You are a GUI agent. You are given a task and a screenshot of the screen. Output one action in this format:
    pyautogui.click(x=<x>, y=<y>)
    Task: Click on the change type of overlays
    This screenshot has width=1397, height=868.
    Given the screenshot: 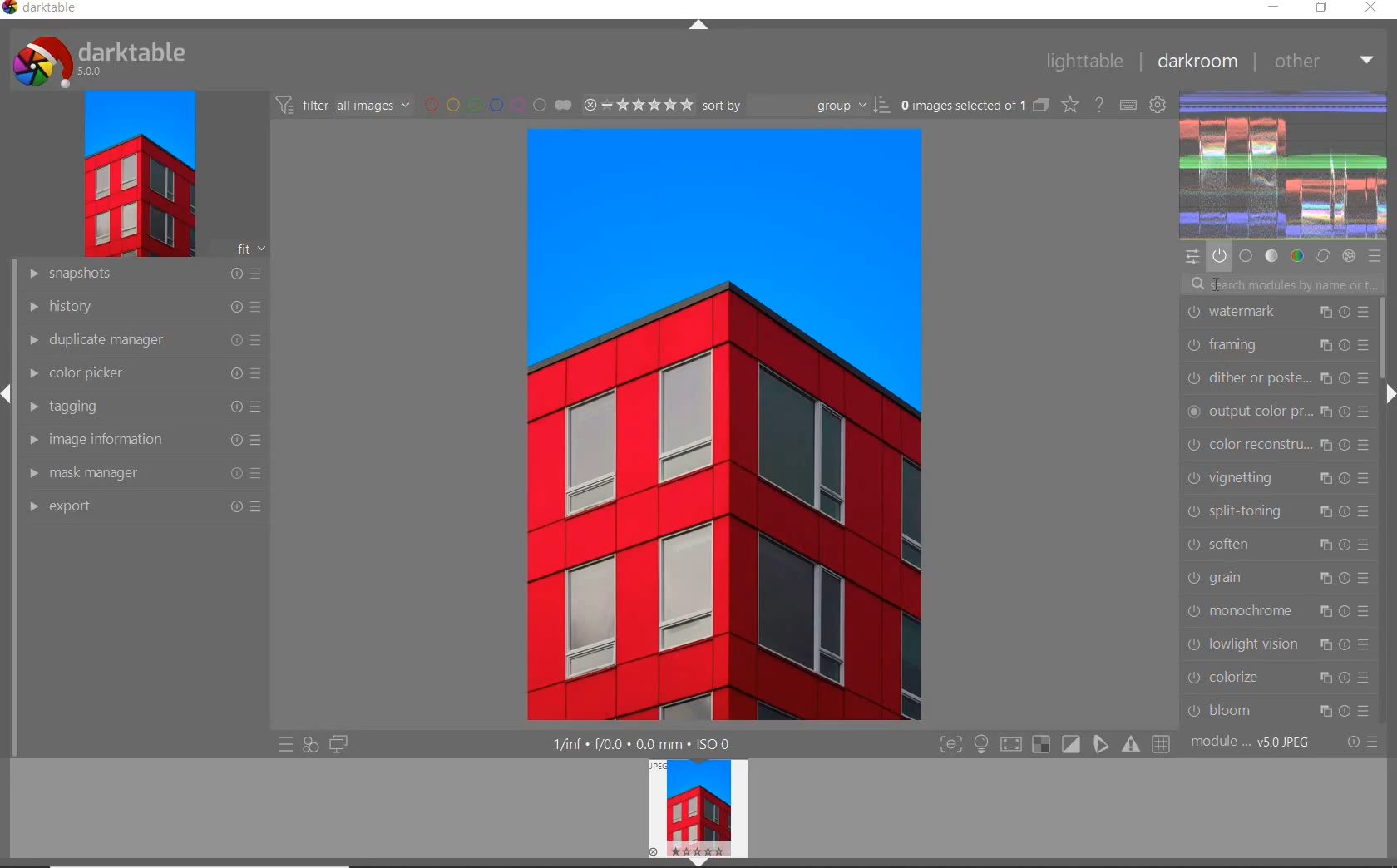 What is the action you would take?
    pyautogui.click(x=1072, y=106)
    